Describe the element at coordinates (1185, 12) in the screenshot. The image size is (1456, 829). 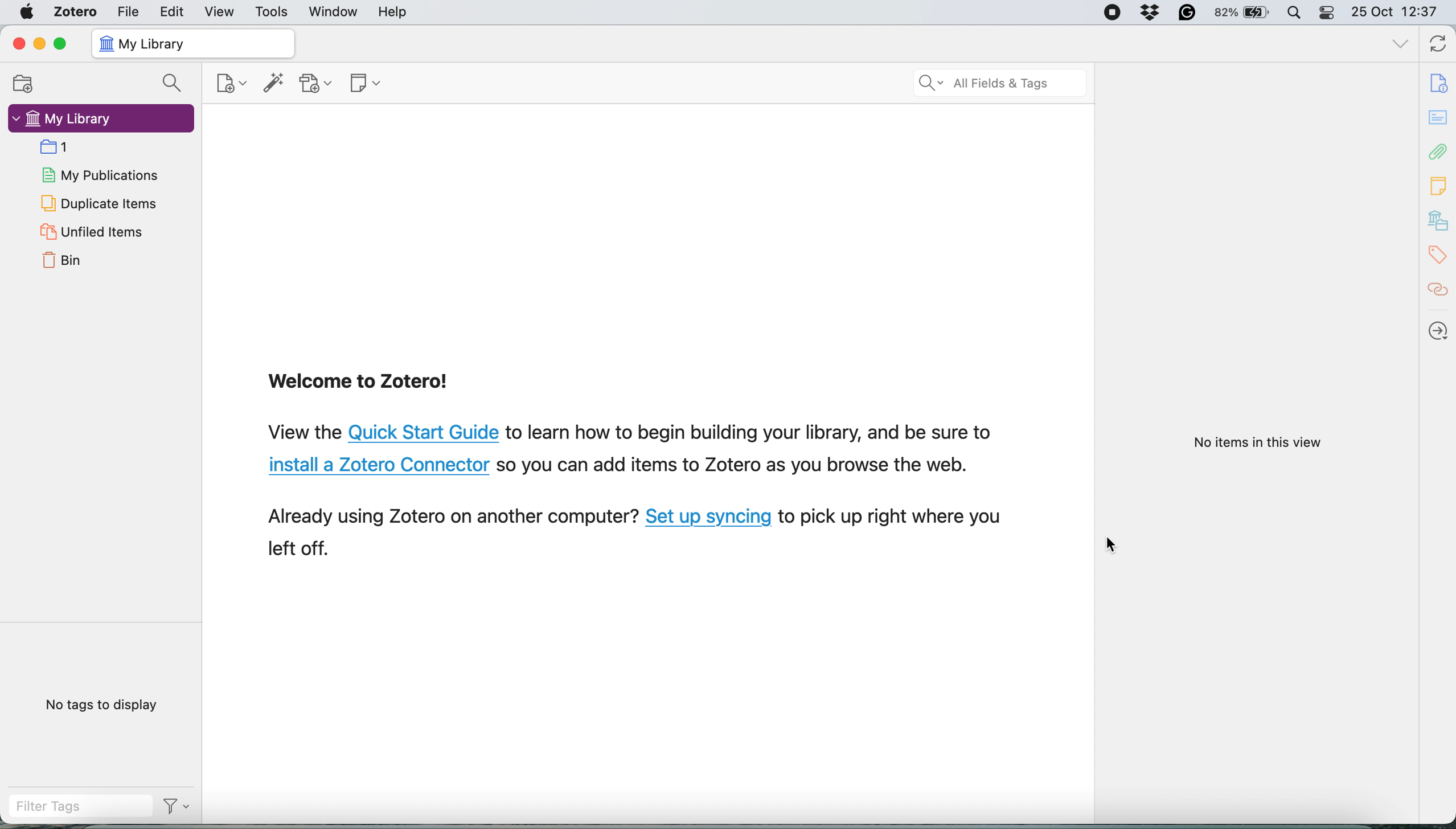
I see `Grammarly` at that location.